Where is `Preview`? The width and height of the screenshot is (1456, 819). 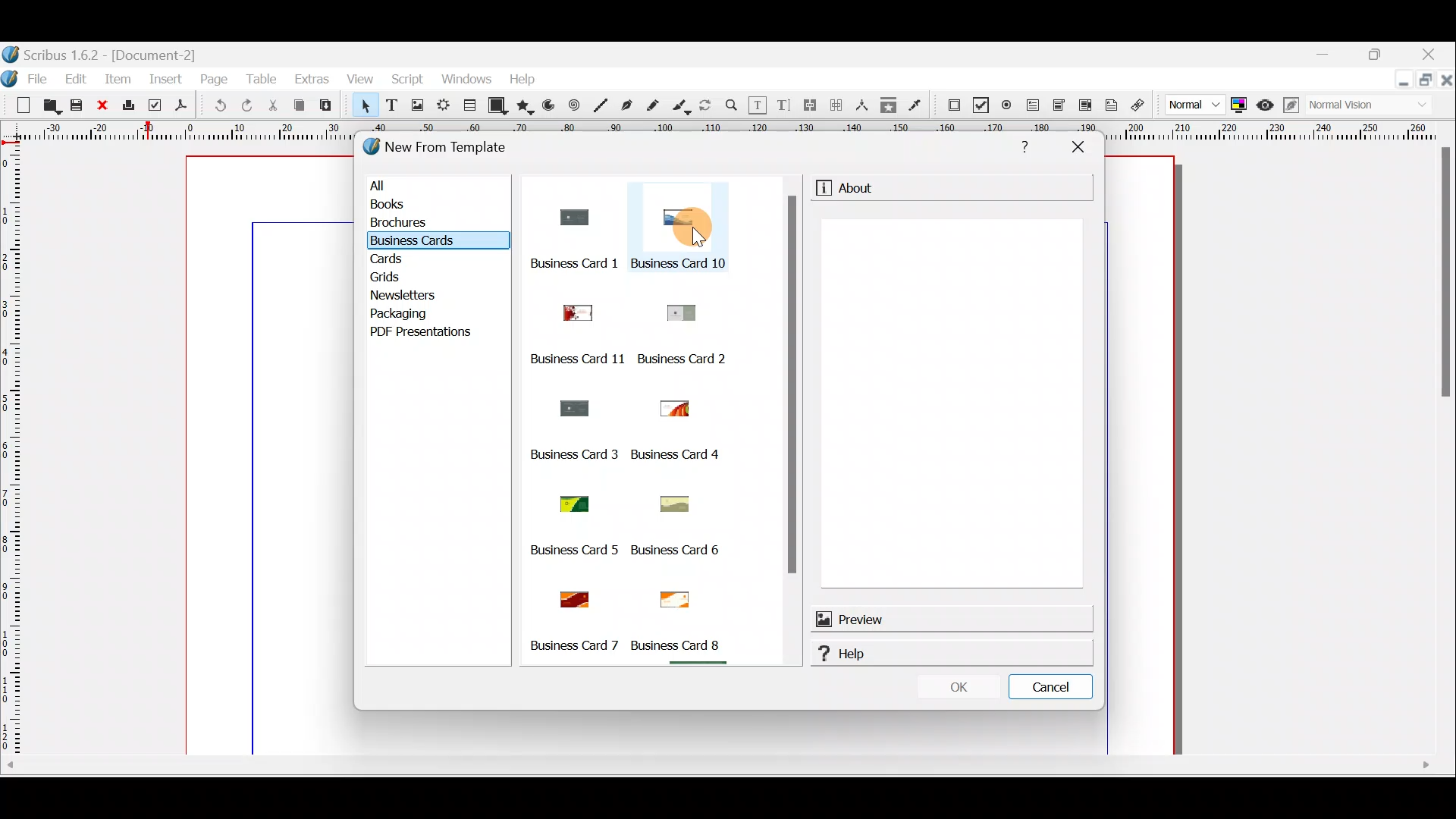 Preview is located at coordinates (950, 618).